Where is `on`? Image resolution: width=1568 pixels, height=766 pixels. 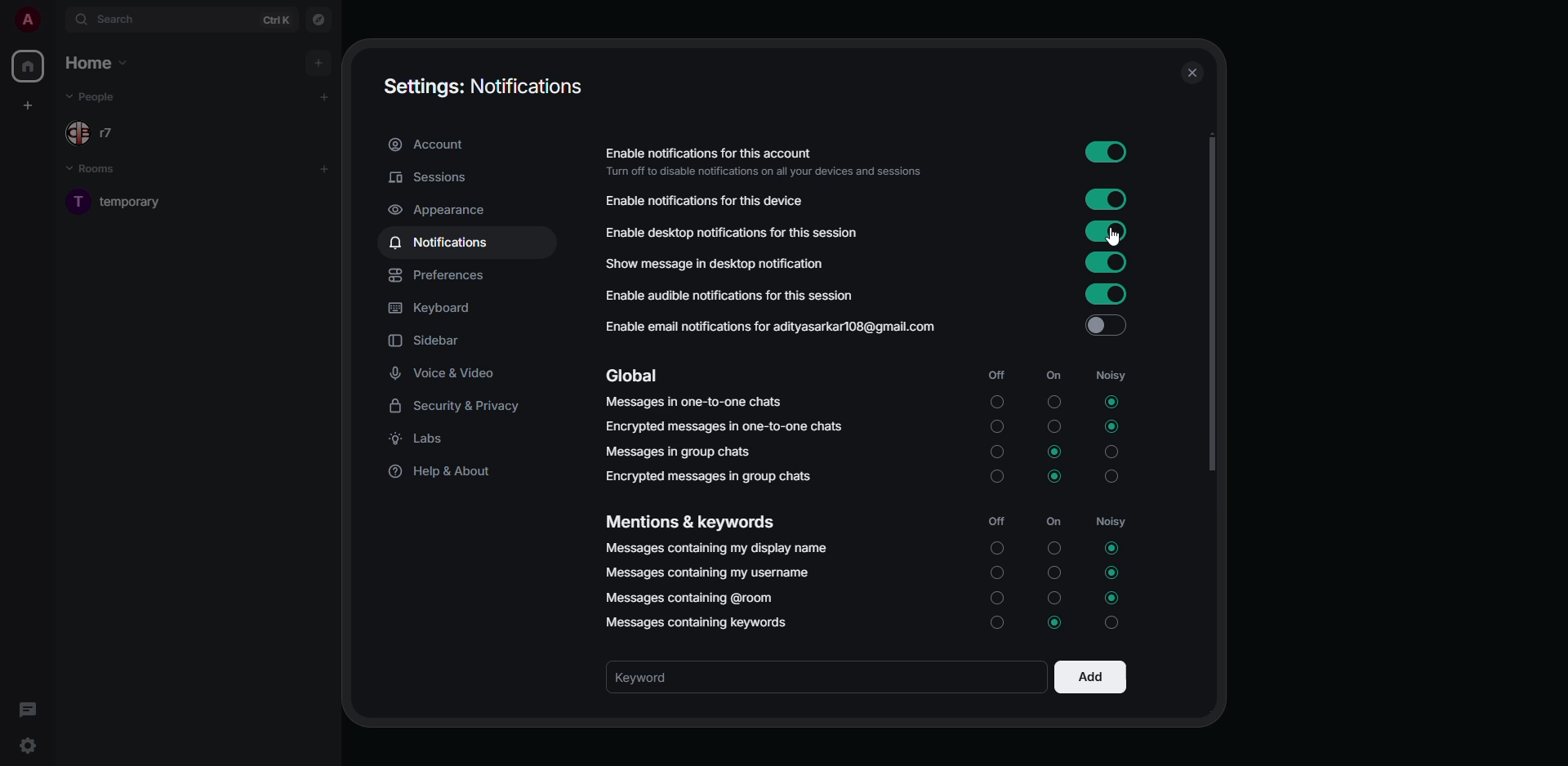
on is located at coordinates (995, 550).